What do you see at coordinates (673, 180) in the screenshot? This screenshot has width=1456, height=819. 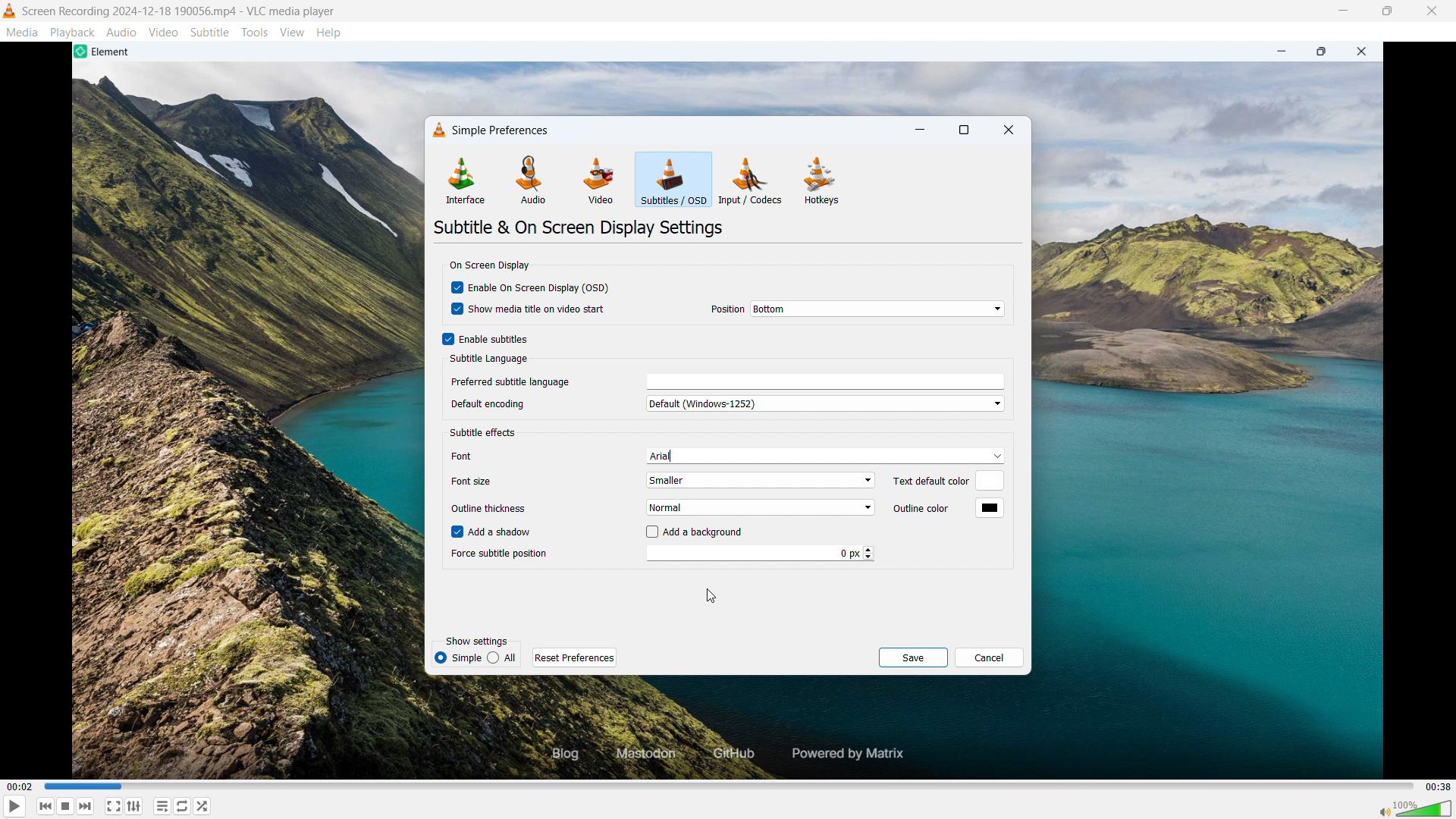 I see `subtitles/OSD` at bounding box center [673, 180].